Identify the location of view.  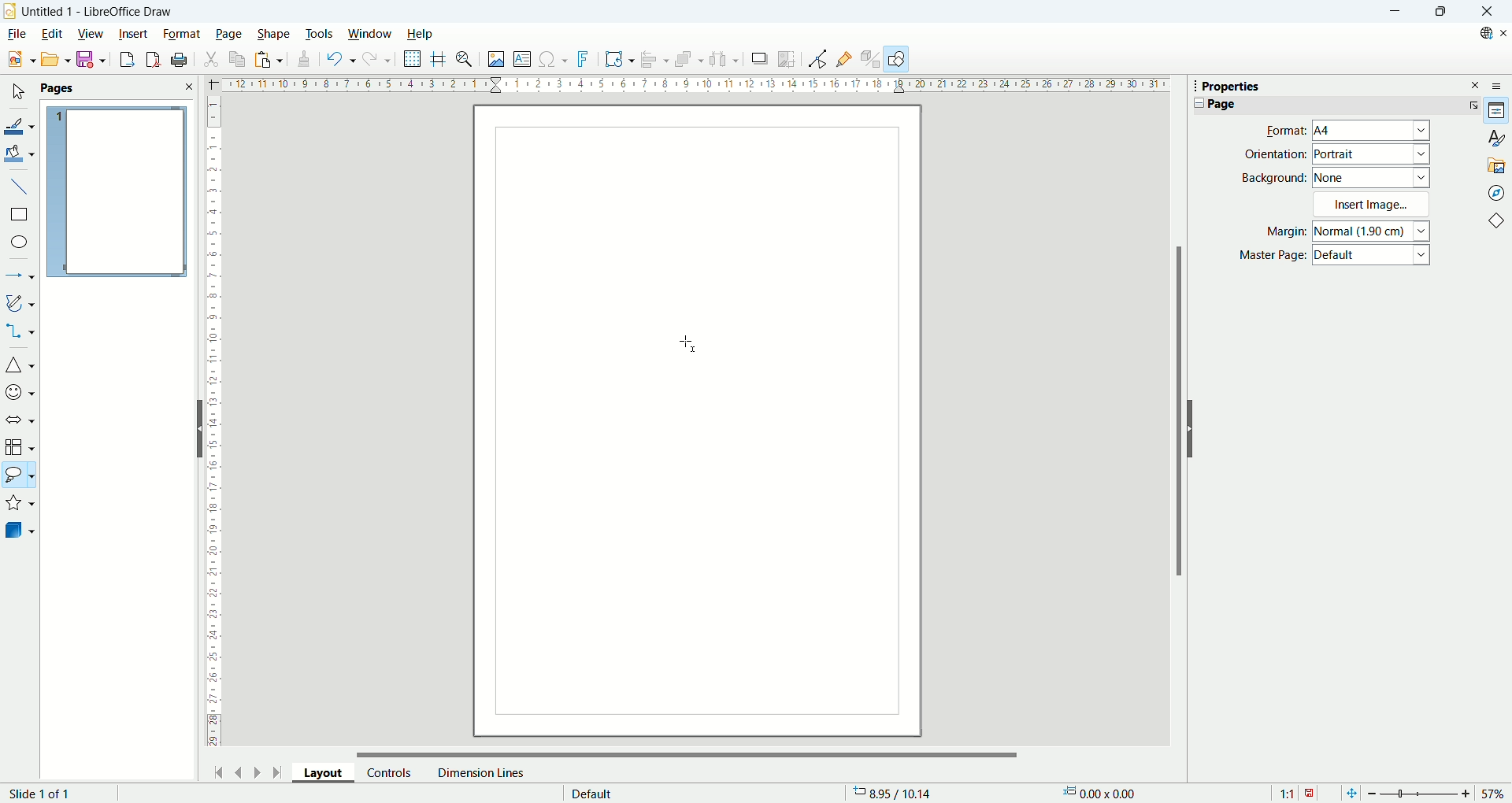
(91, 32).